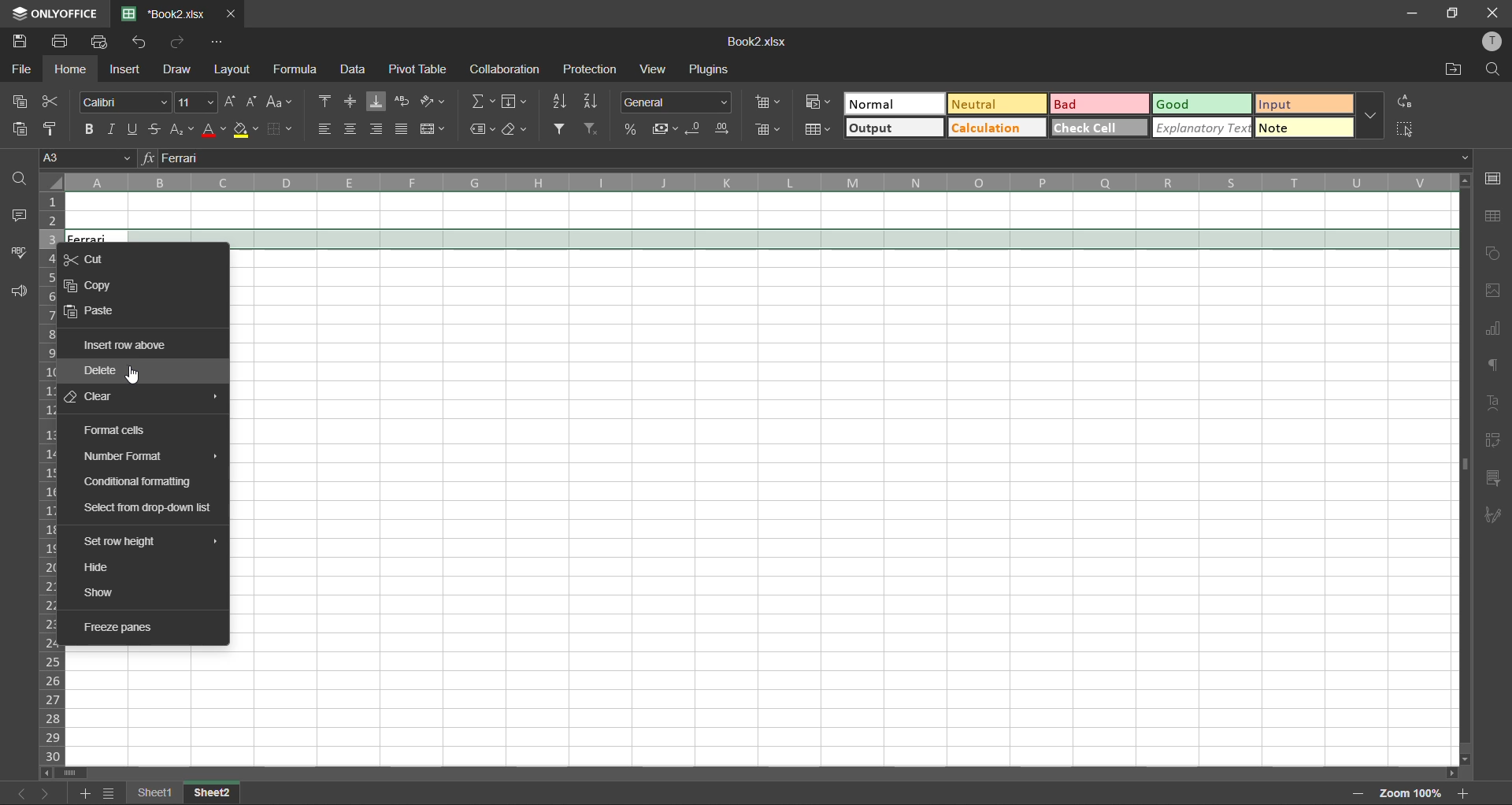 Image resolution: width=1512 pixels, height=805 pixels. What do you see at coordinates (59, 42) in the screenshot?
I see `print` at bounding box center [59, 42].